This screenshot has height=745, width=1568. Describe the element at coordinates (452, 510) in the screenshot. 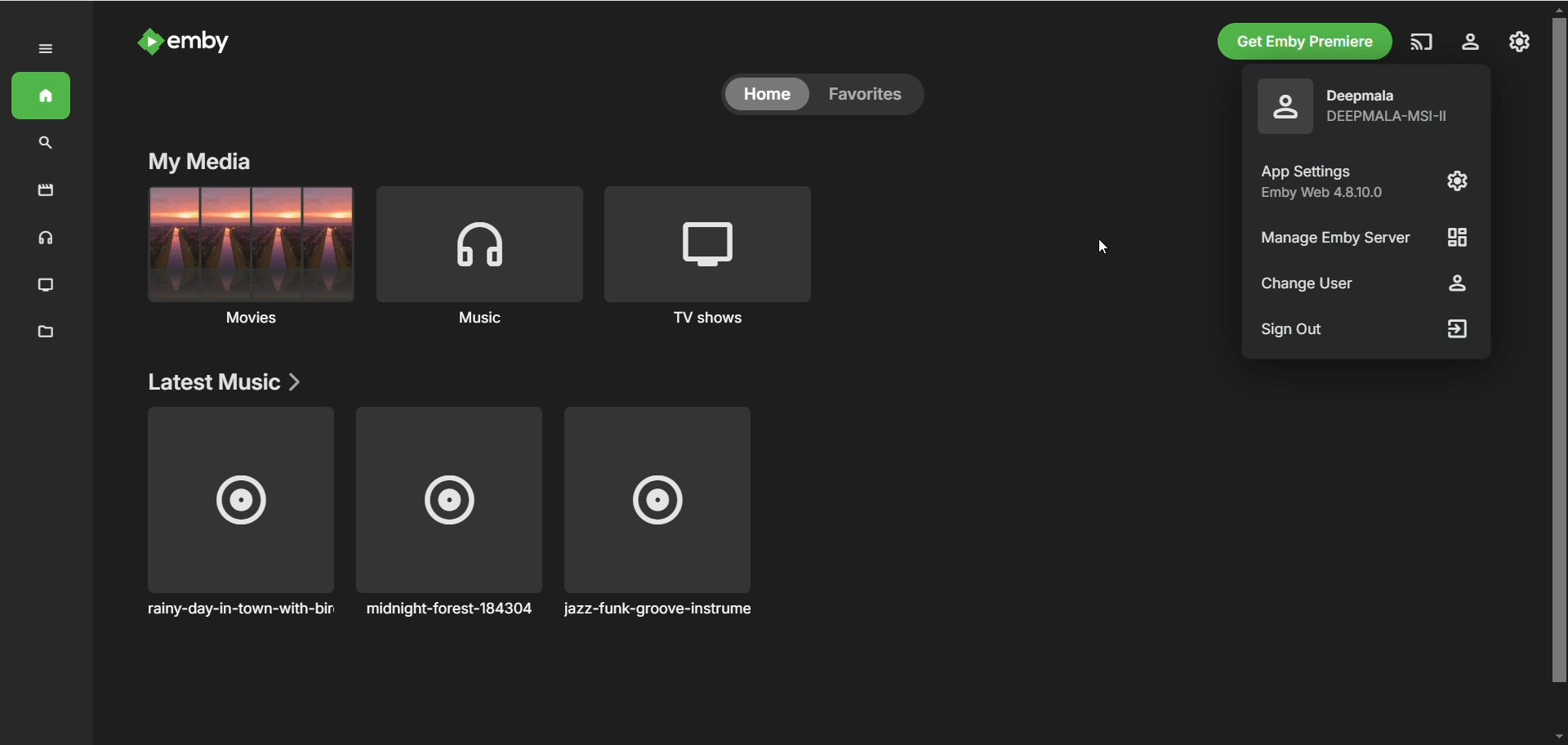

I see `n midnight-forest-184304` at that location.